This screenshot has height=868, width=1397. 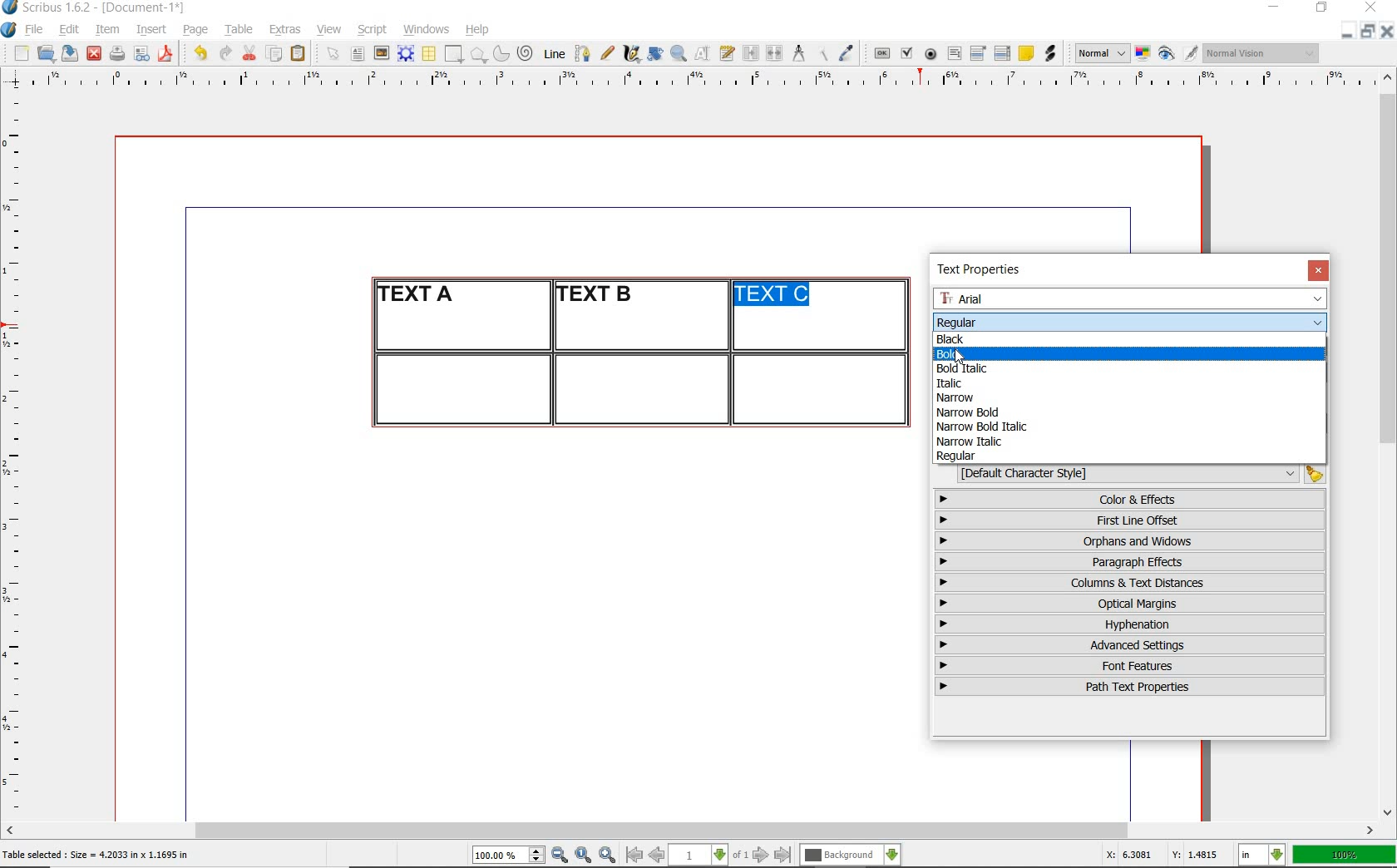 What do you see at coordinates (969, 441) in the screenshot?
I see `narrow italic` at bounding box center [969, 441].